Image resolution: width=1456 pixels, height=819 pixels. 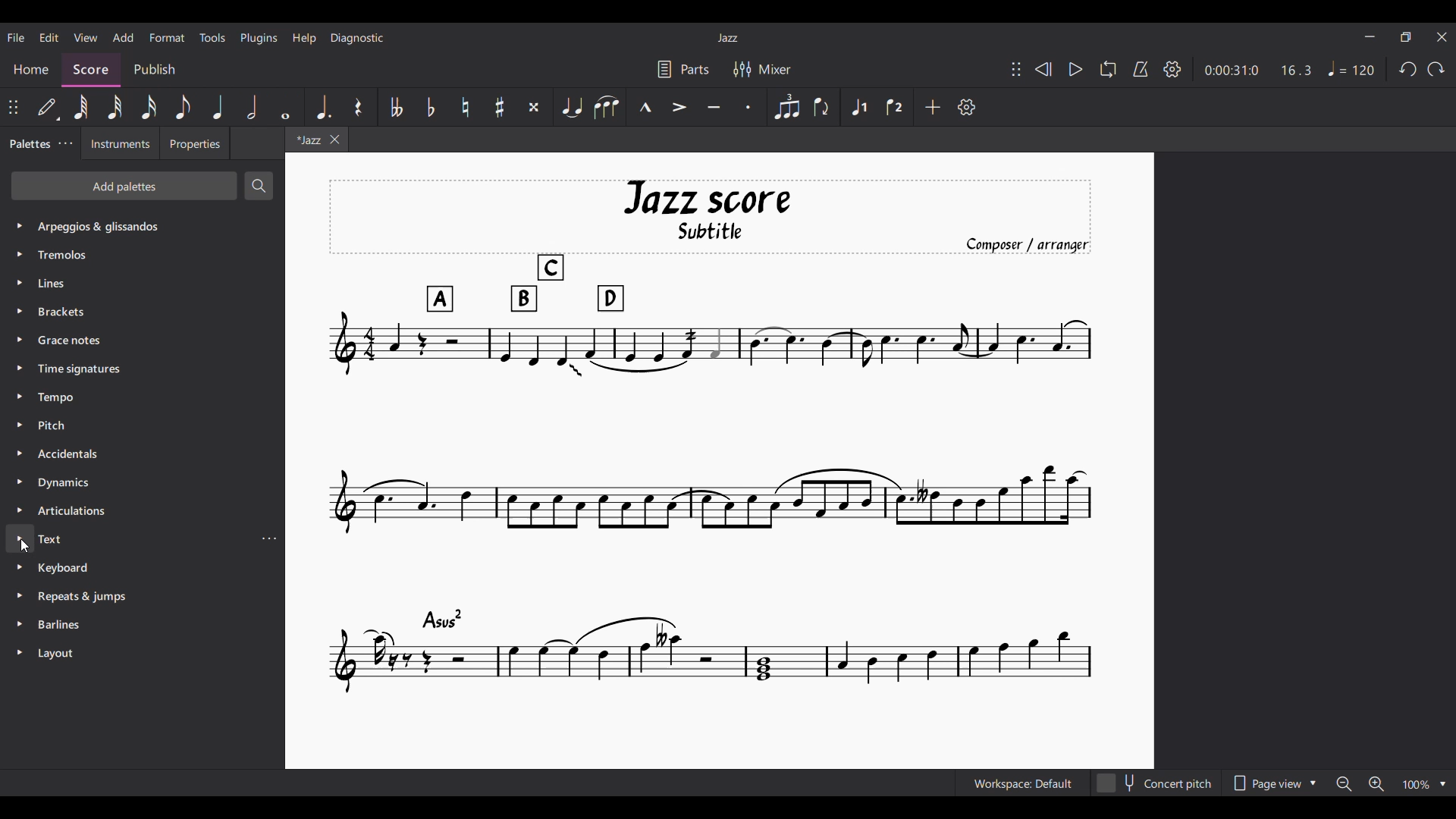 What do you see at coordinates (679, 107) in the screenshot?
I see `Accent` at bounding box center [679, 107].